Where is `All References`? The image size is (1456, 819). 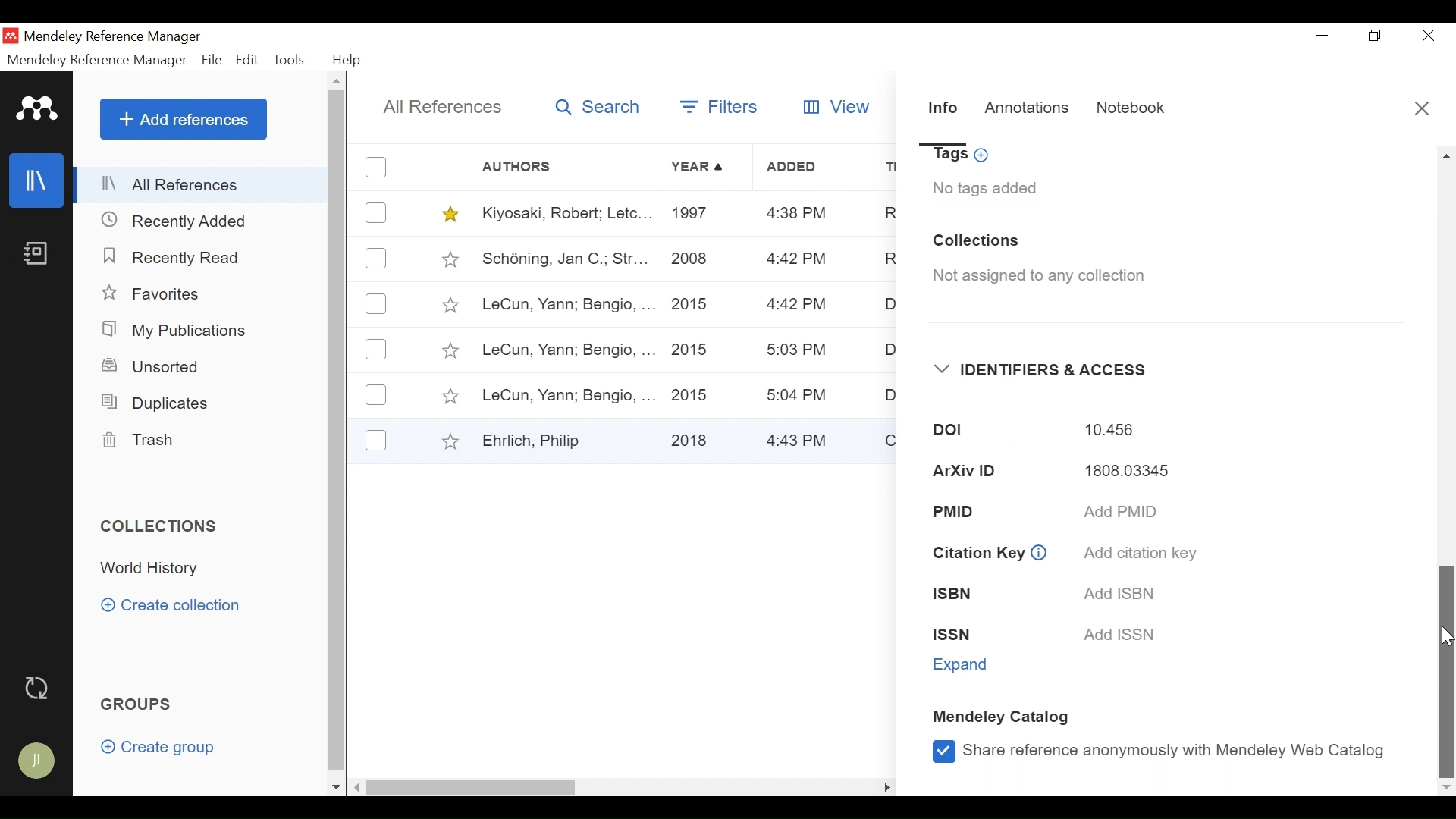 All References is located at coordinates (438, 106).